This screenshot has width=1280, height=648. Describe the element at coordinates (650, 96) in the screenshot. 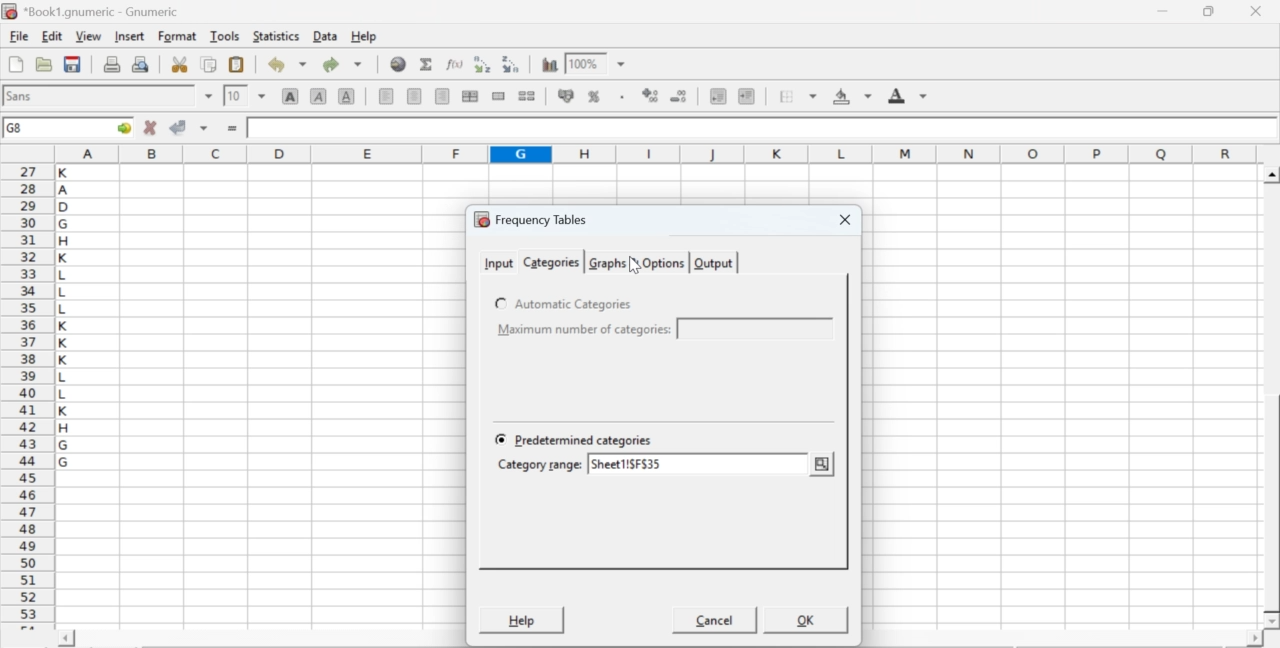

I see `decrease number of decimals displayed` at that location.